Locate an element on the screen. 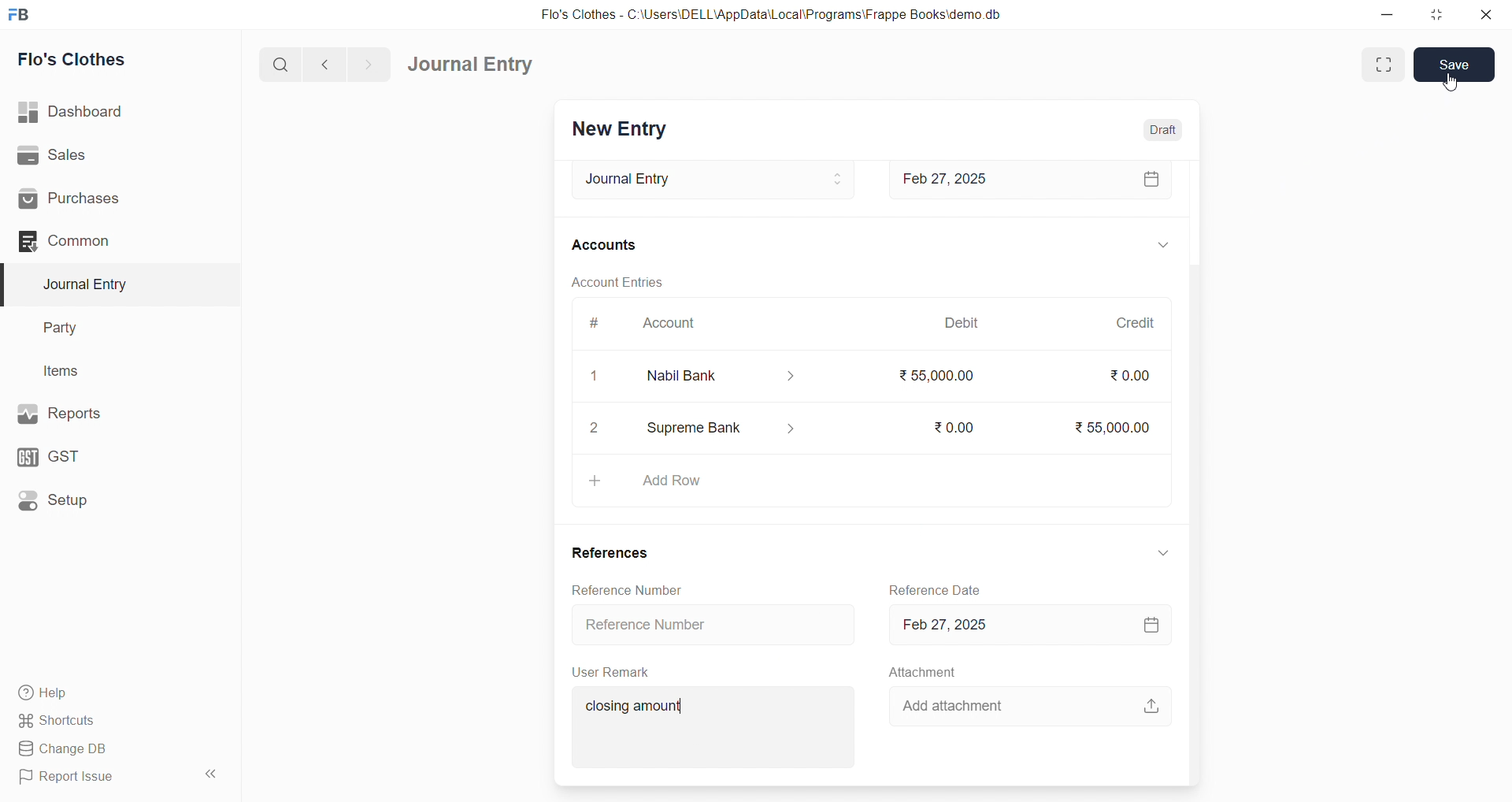 This screenshot has width=1512, height=802. References is located at coordinates (611, 555).